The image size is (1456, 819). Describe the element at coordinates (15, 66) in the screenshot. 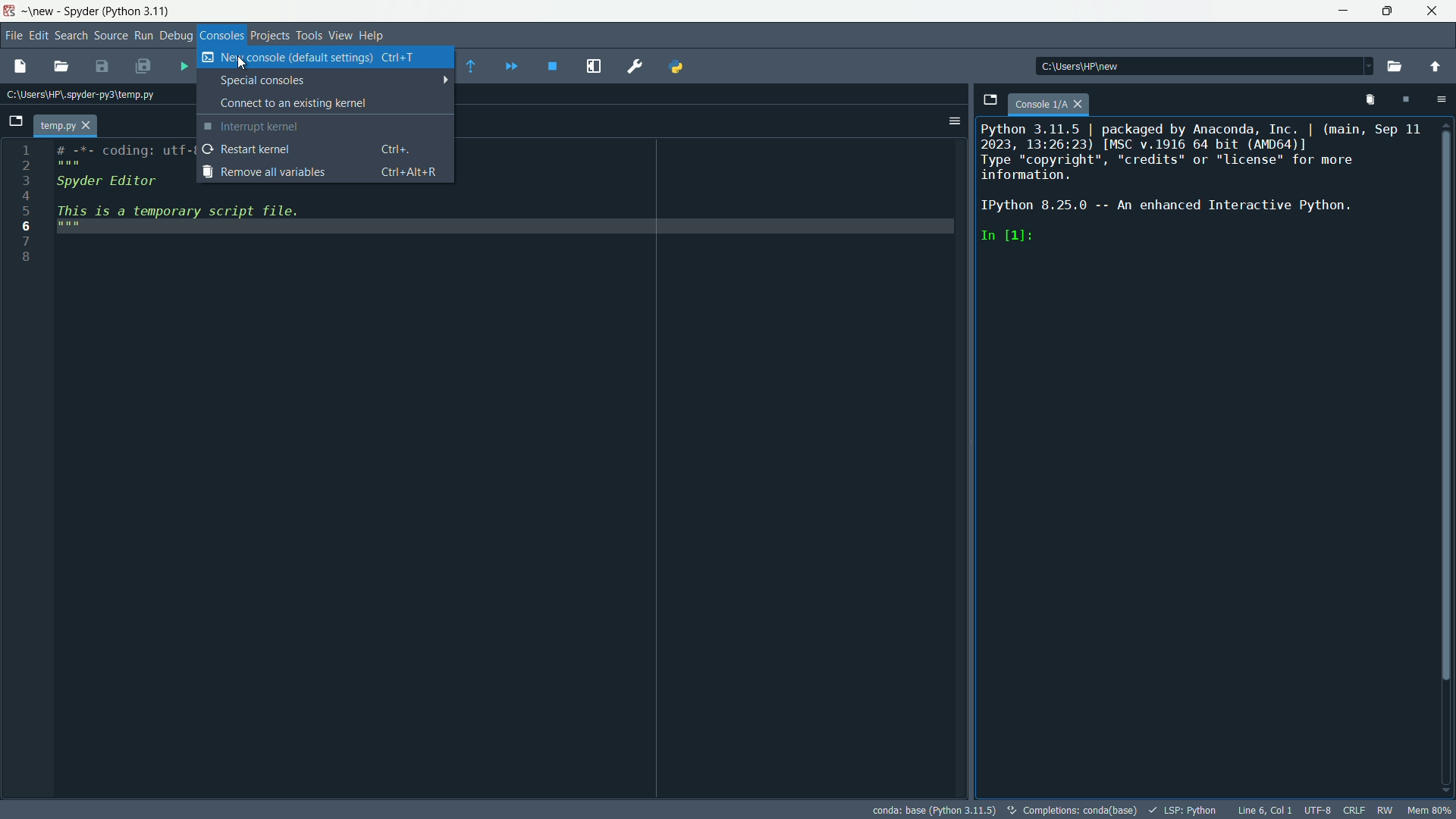

I see `new file` at that location.